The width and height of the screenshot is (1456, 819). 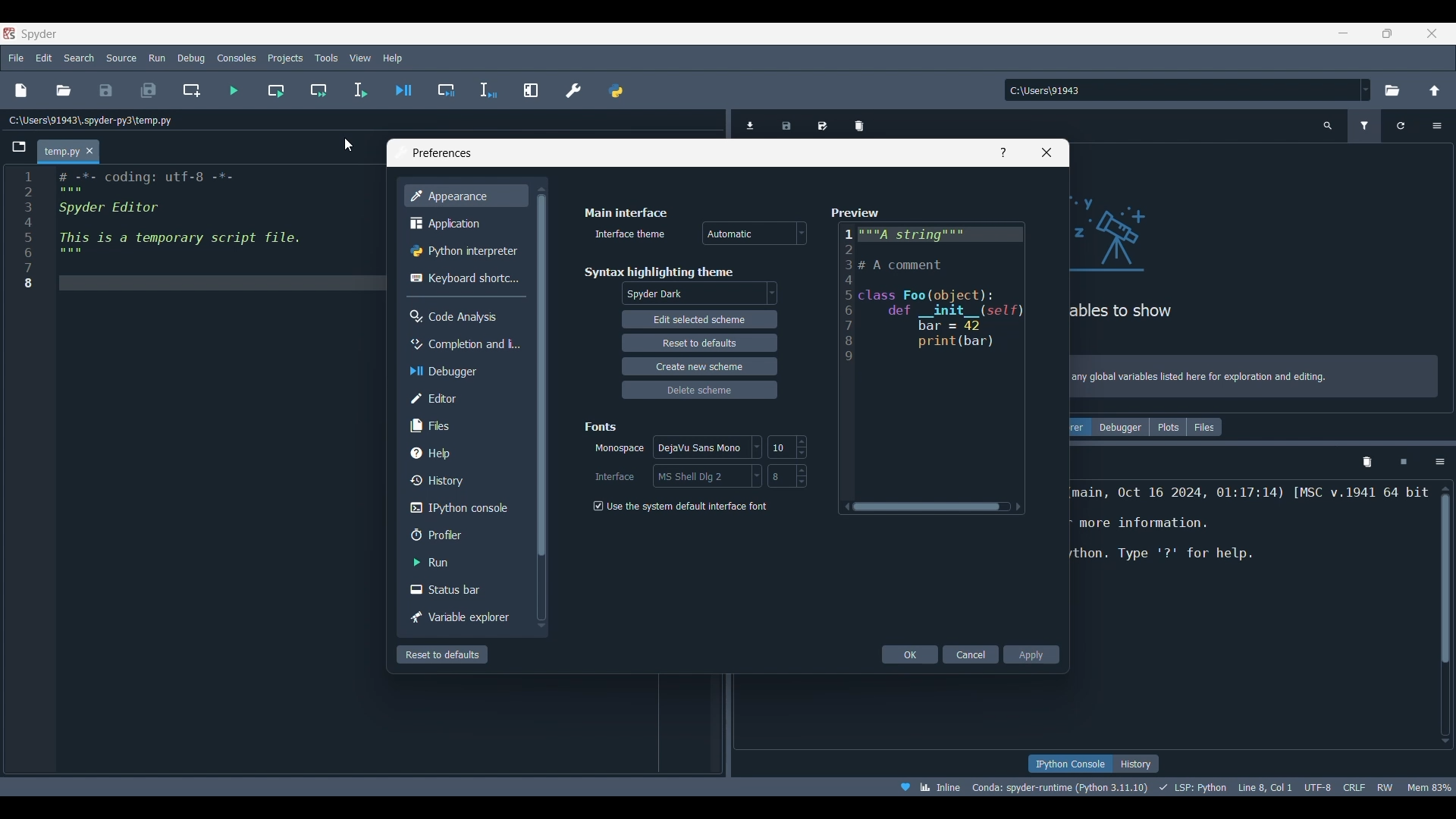 I want to click on Preferences, so click(x=573, y=89).